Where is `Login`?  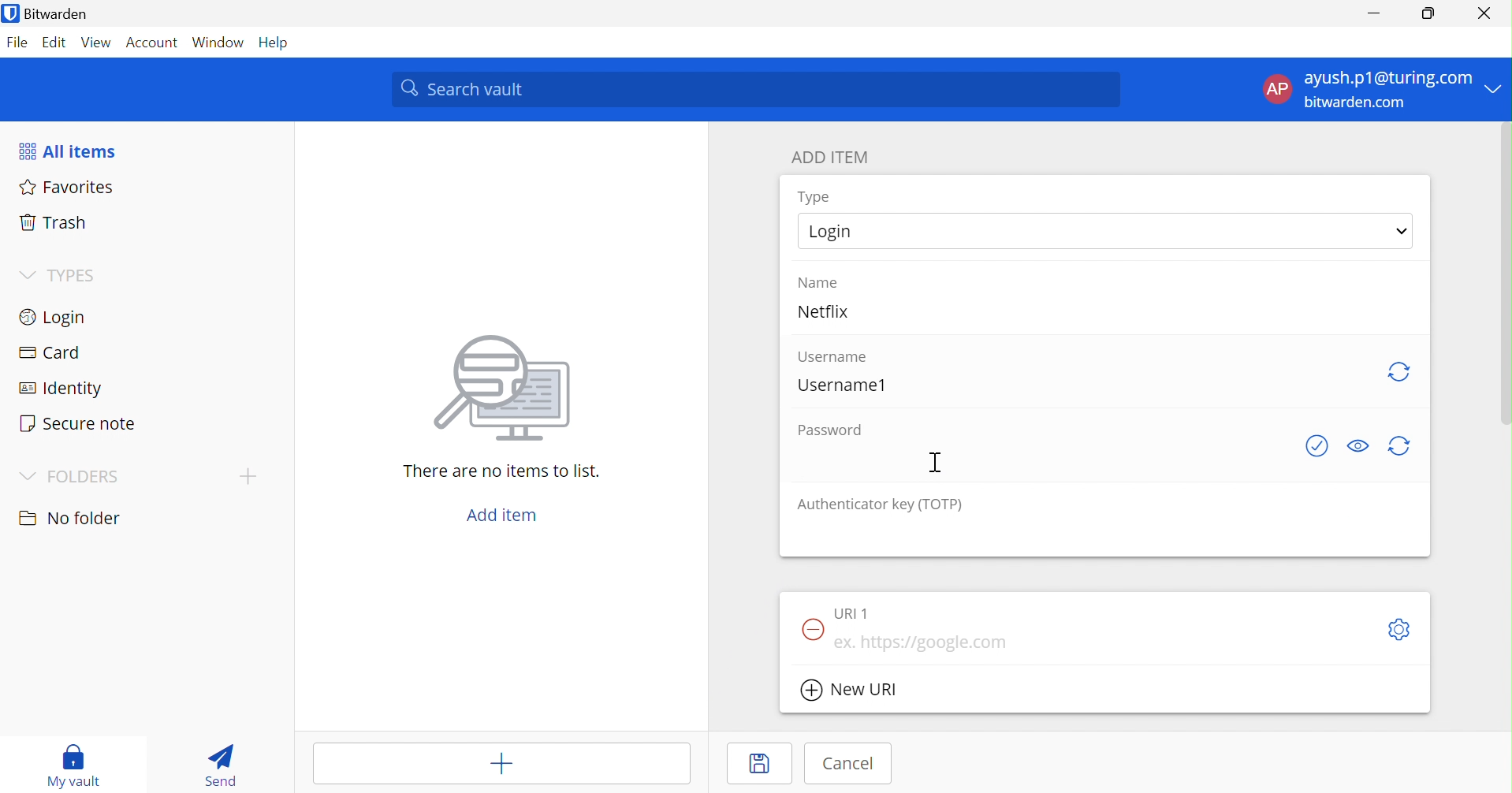 Login is located at coordinates (1104, 233).